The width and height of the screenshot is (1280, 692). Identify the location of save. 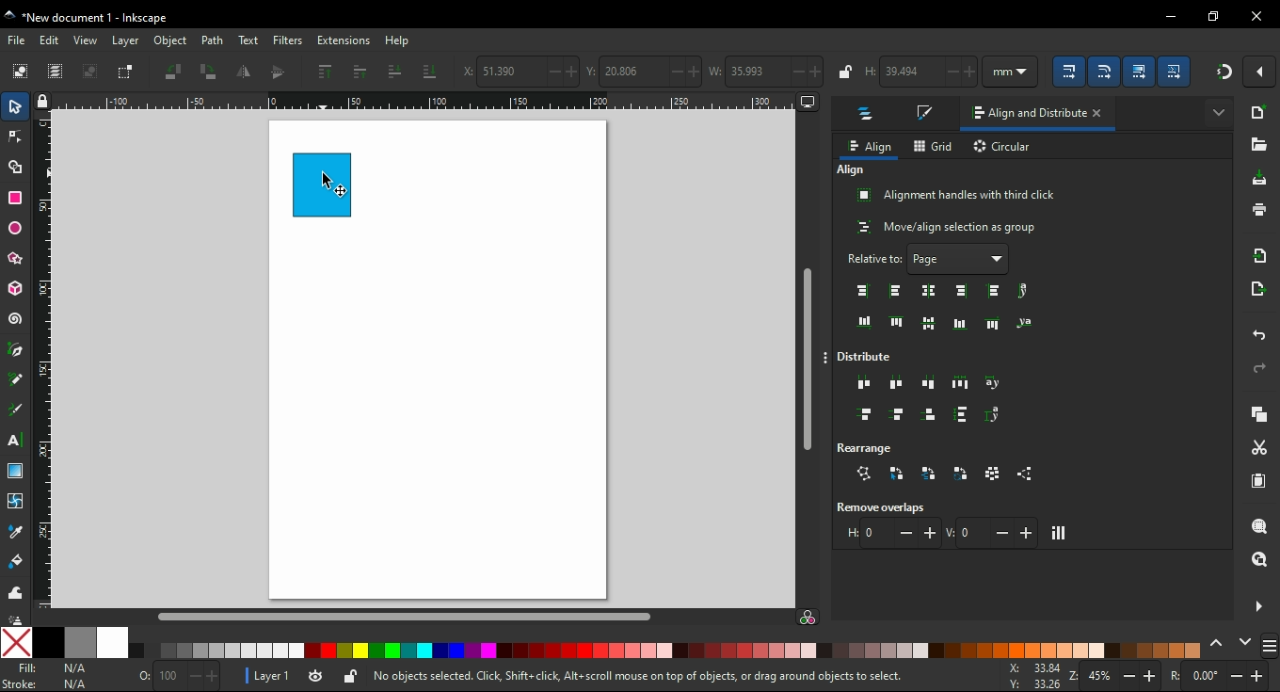
(1261, 178).